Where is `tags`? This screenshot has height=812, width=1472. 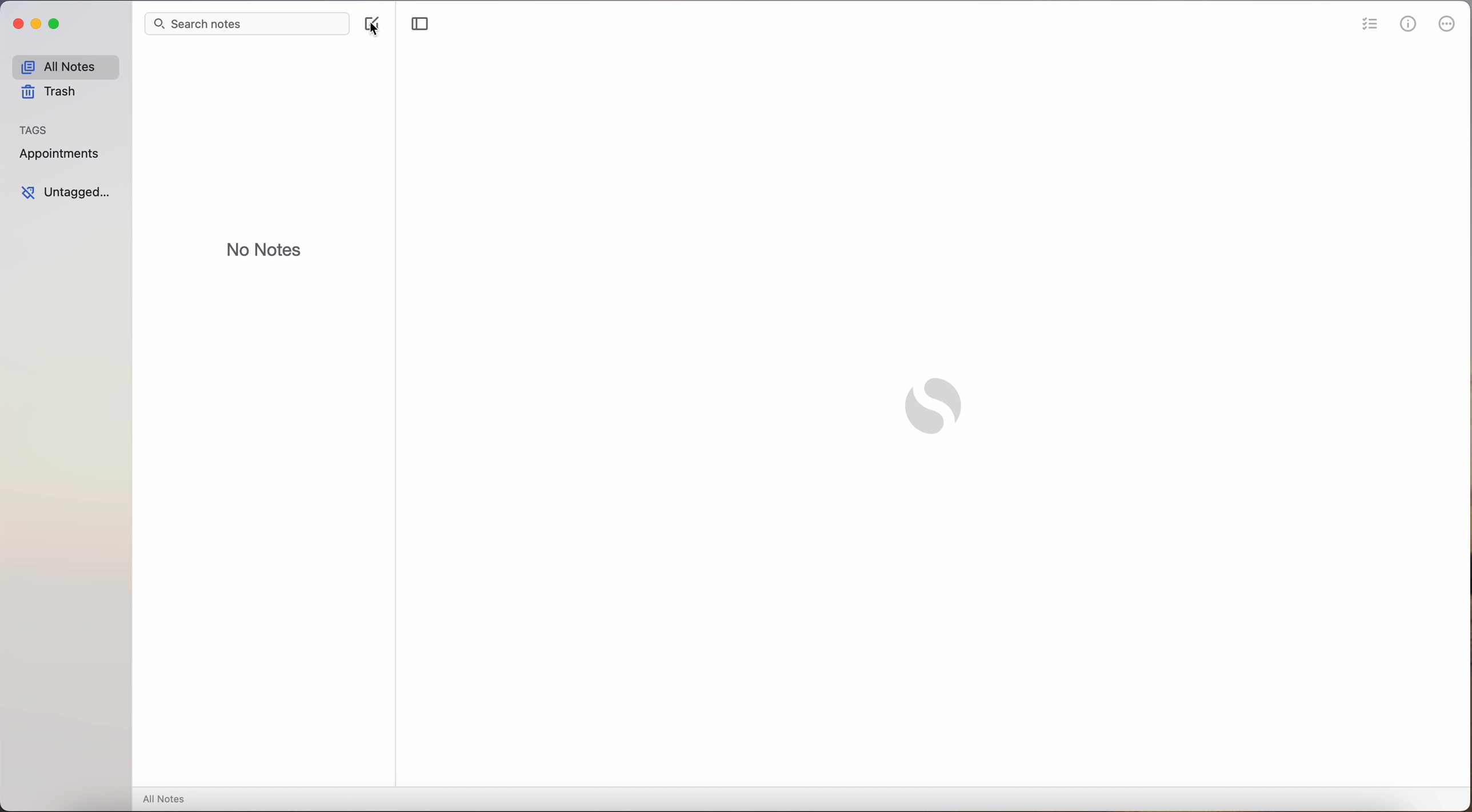 tags is located at coordinates (34, 129).